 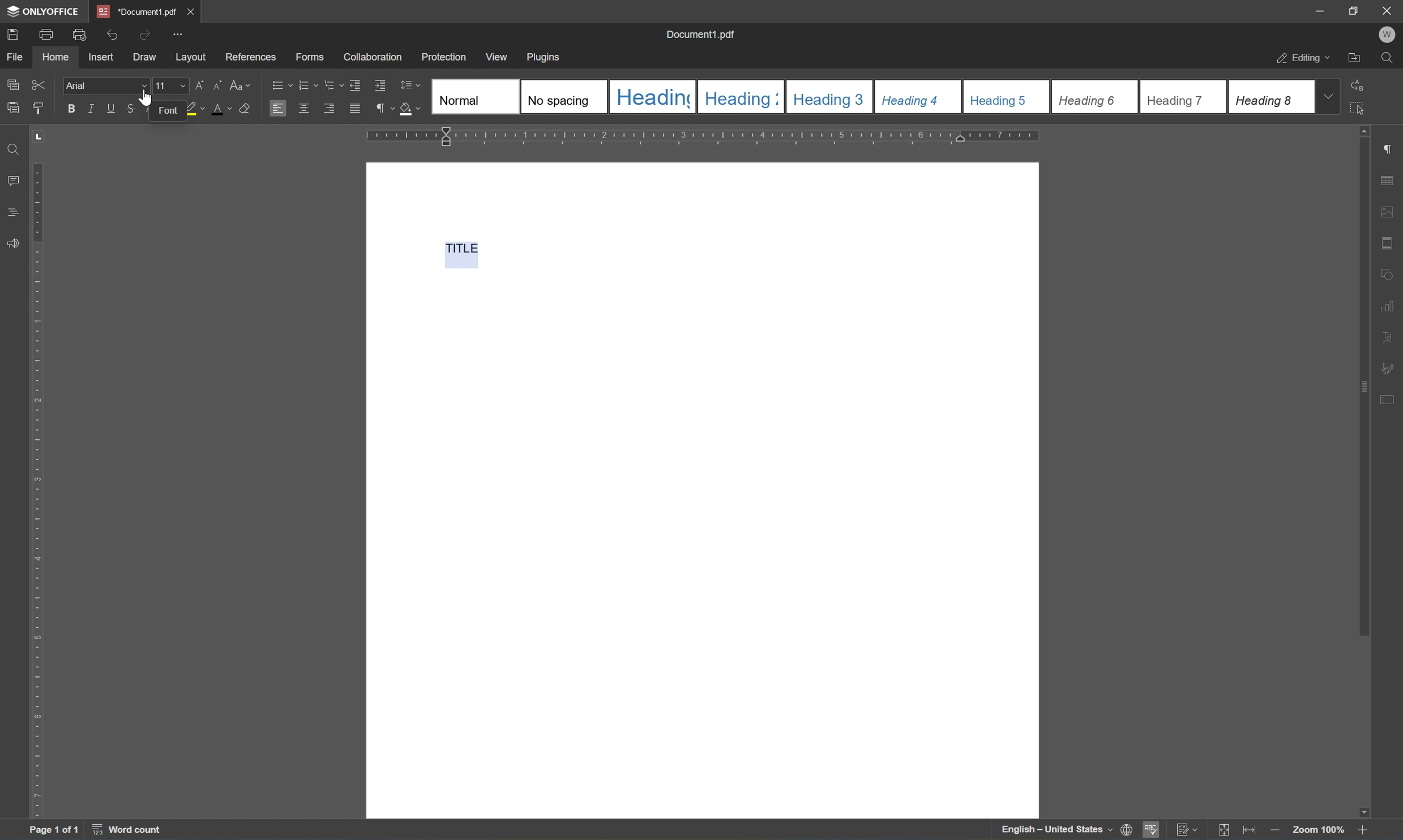 What do you see at coordinates (280, 84) in the screenshot?
I see `bullets` at bounding box center [280, 84].